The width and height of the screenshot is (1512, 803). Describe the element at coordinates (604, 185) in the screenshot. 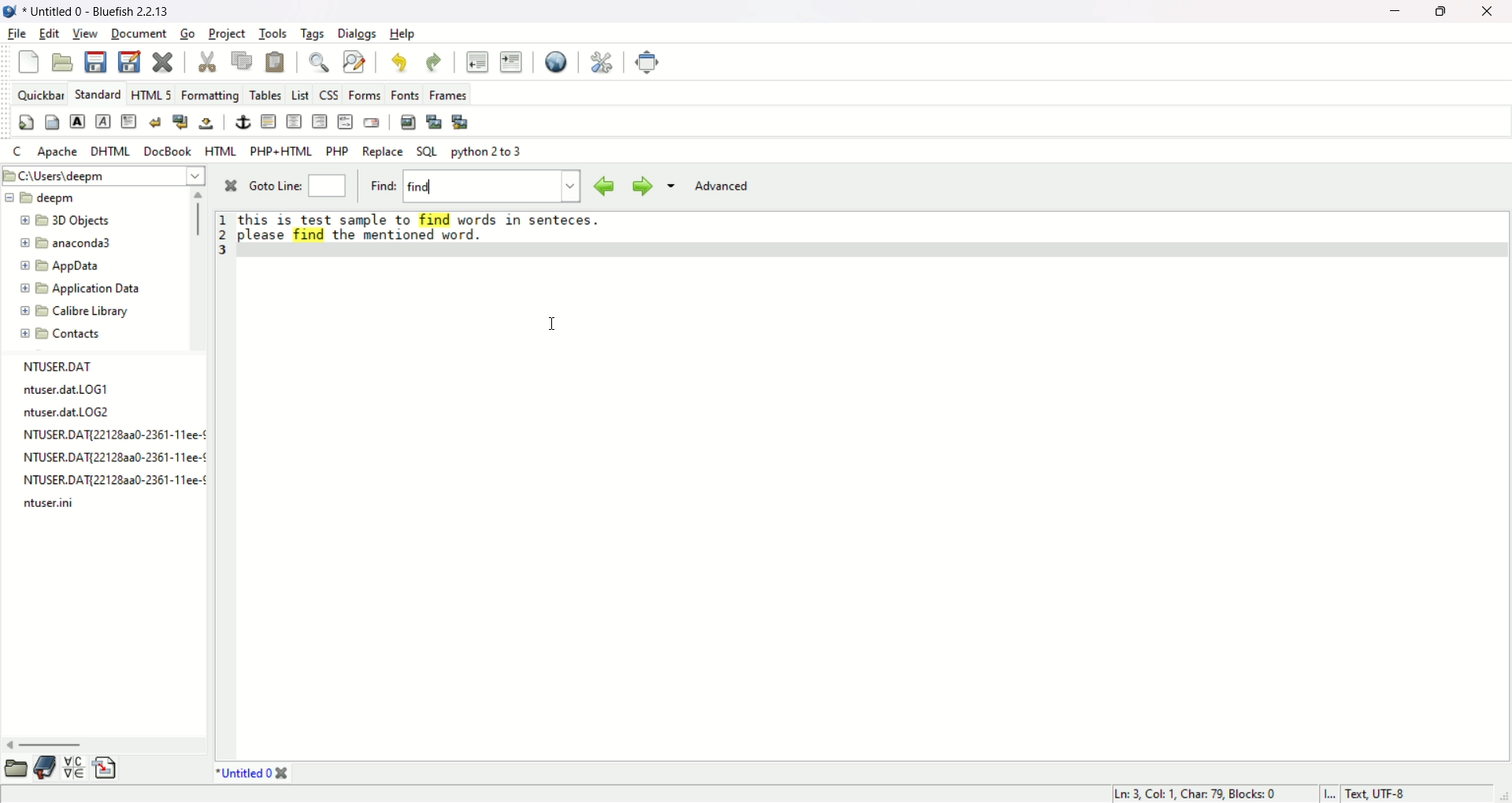

I see `previous` at that location.